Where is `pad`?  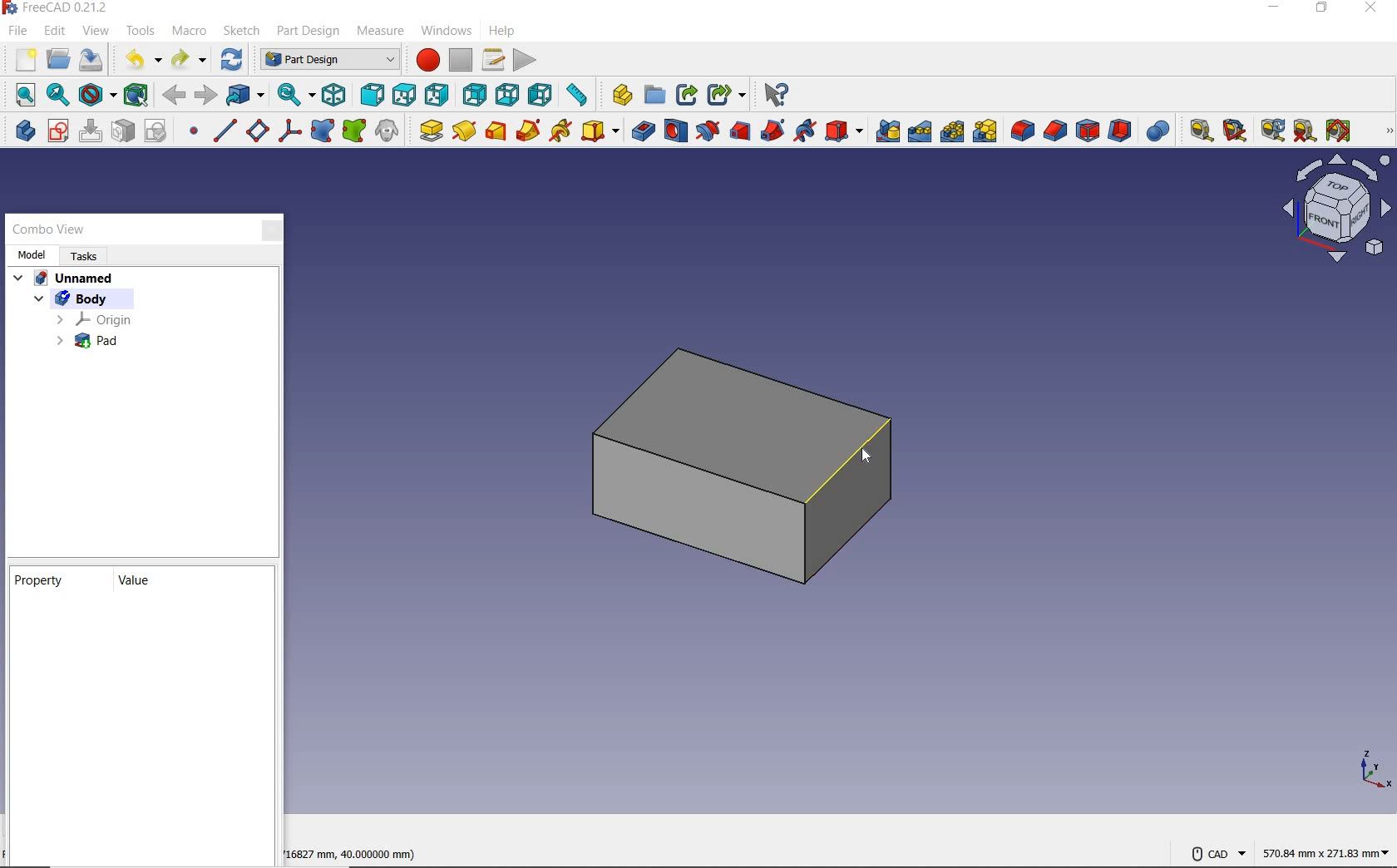 pad is located at coordinates (88, 341).